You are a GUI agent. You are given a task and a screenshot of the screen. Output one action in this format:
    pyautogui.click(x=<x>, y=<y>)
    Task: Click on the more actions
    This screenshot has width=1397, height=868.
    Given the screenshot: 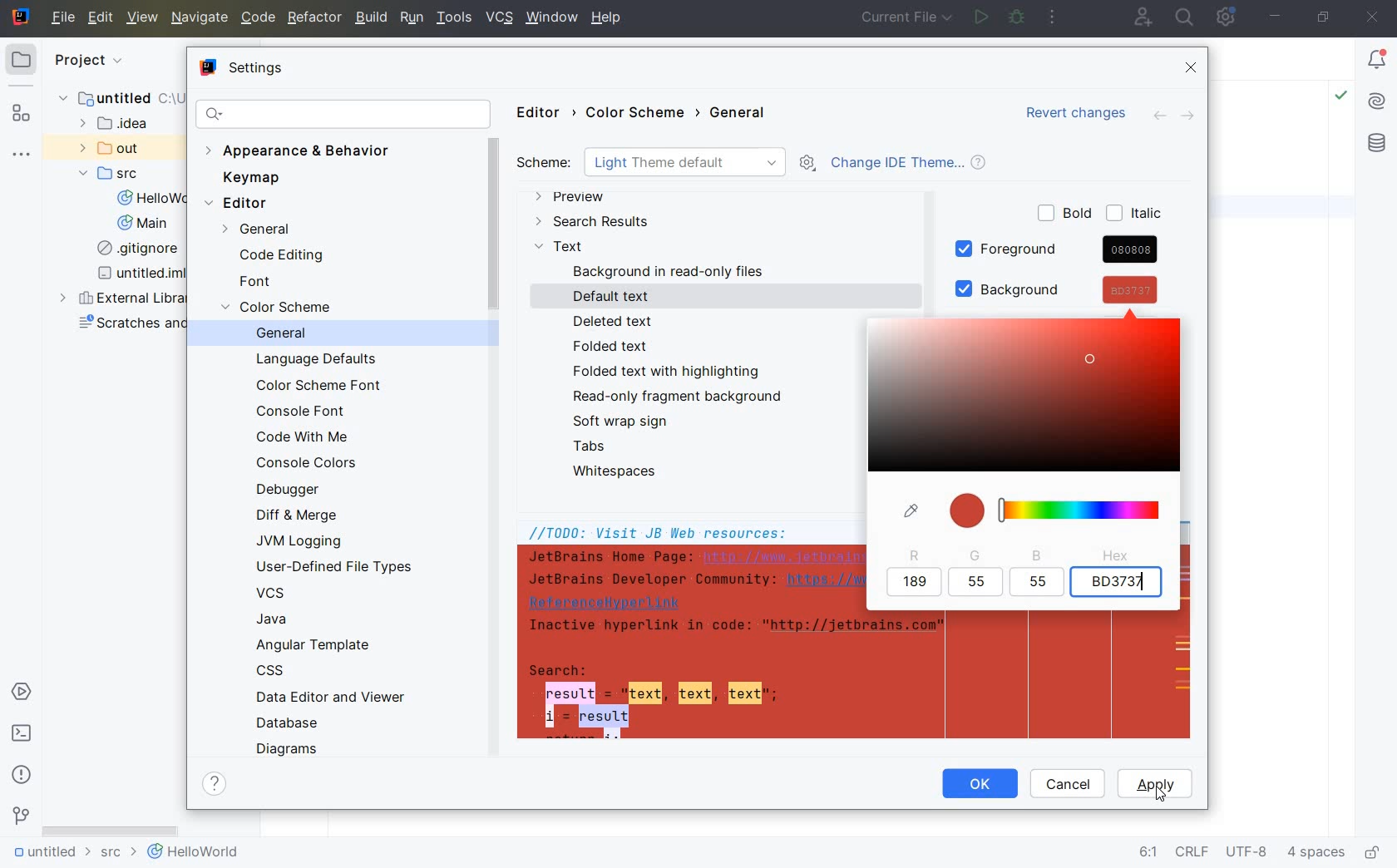 What is the action you would take?
    pyautogui.click(x=1054, y=16)
    